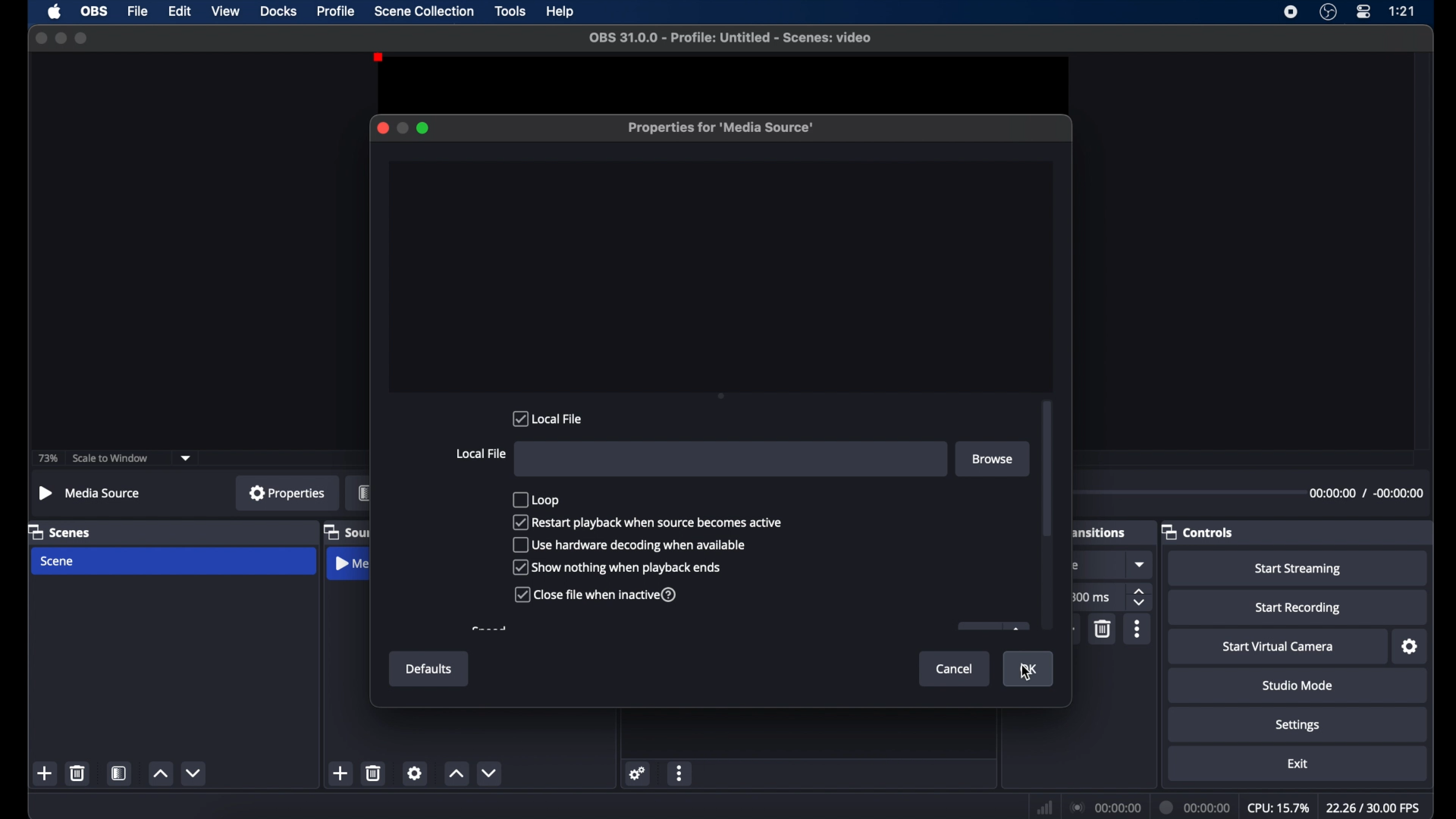 This screenshot has width=1456, height=819. What do you see at coordinates (1291, 12) in the screenshot?
I see `screen recorder icon` at bounding box center [1291, 12].